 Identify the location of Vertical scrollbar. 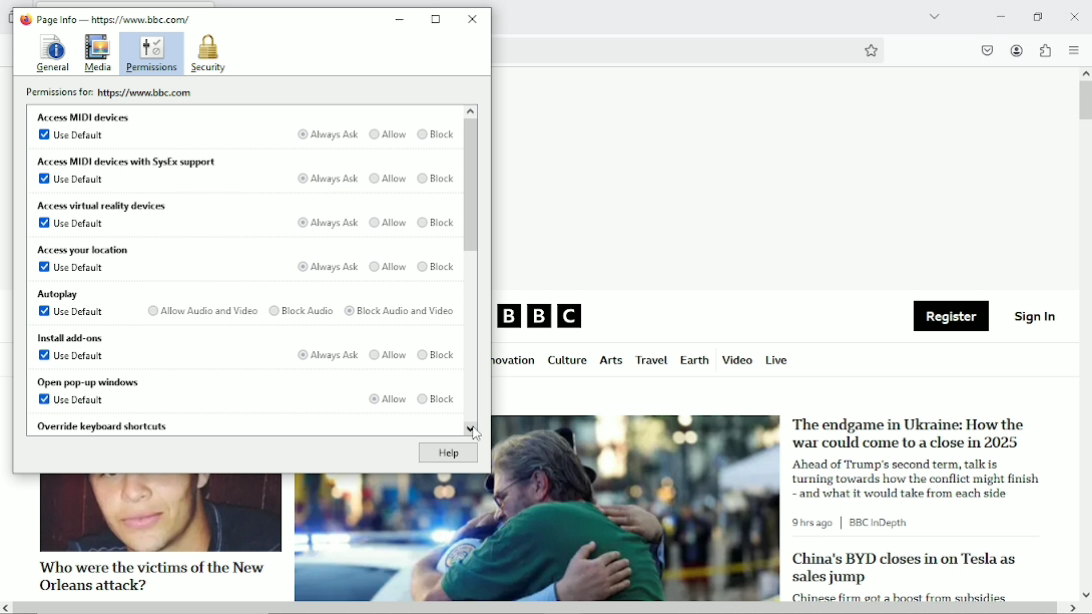
(1085, 101).